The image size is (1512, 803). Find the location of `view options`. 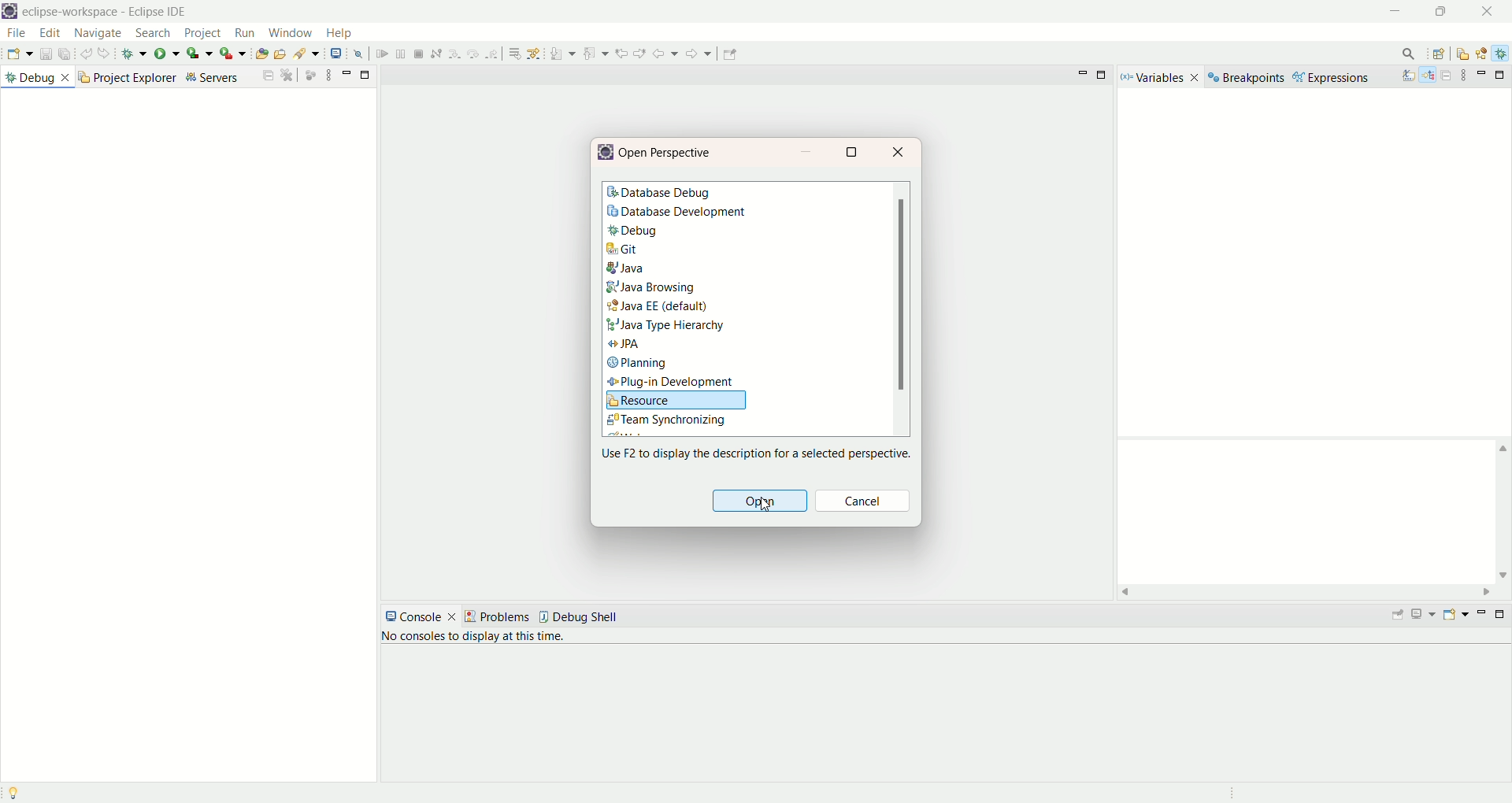

view options is located at coordinates (330, 75).